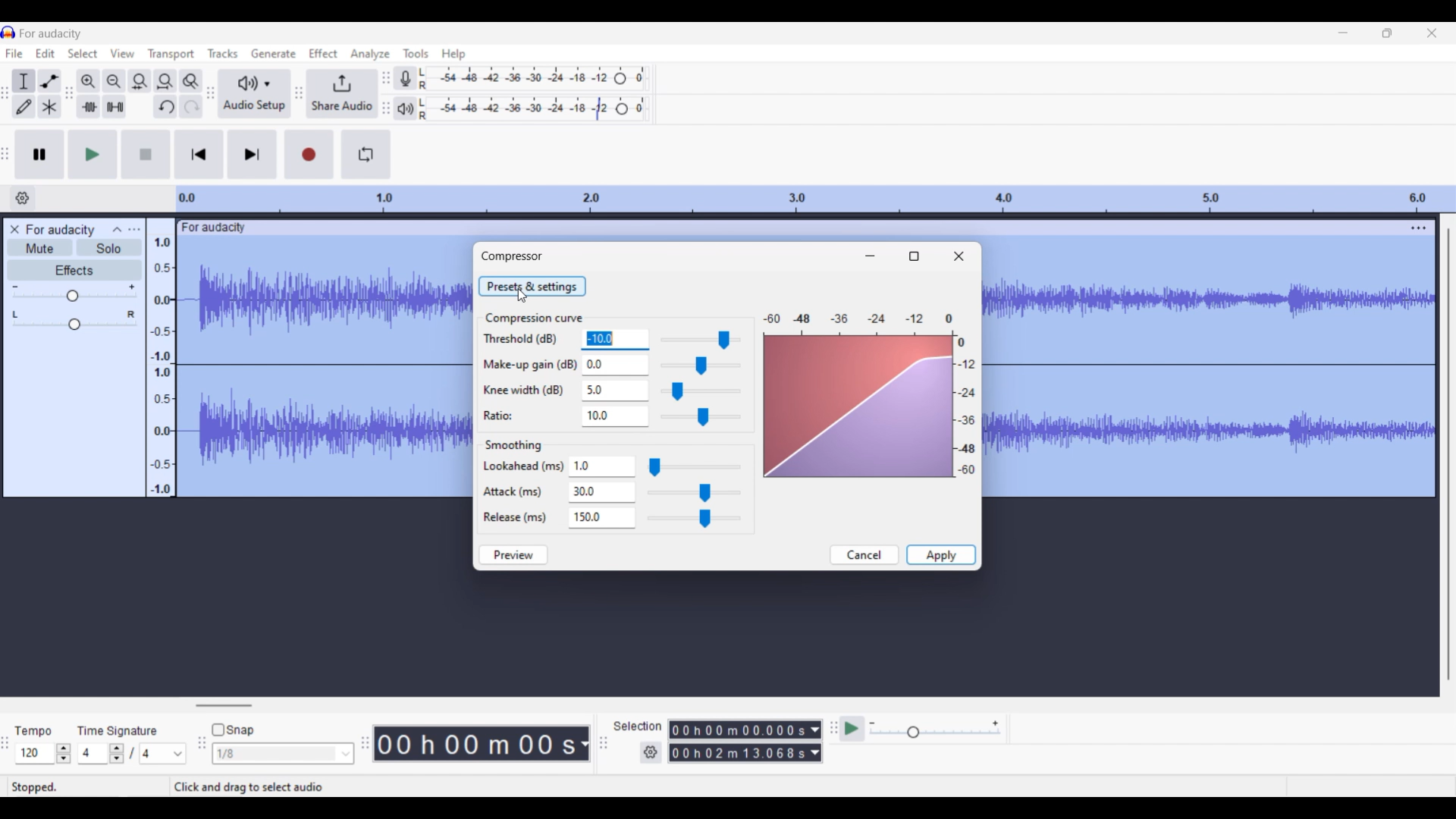 Image resolution: width=1456 pixels, height=819 pixels. Describe the element at coordinates (50, 81) in the screenshot. I see `Envelop tool` at that location.